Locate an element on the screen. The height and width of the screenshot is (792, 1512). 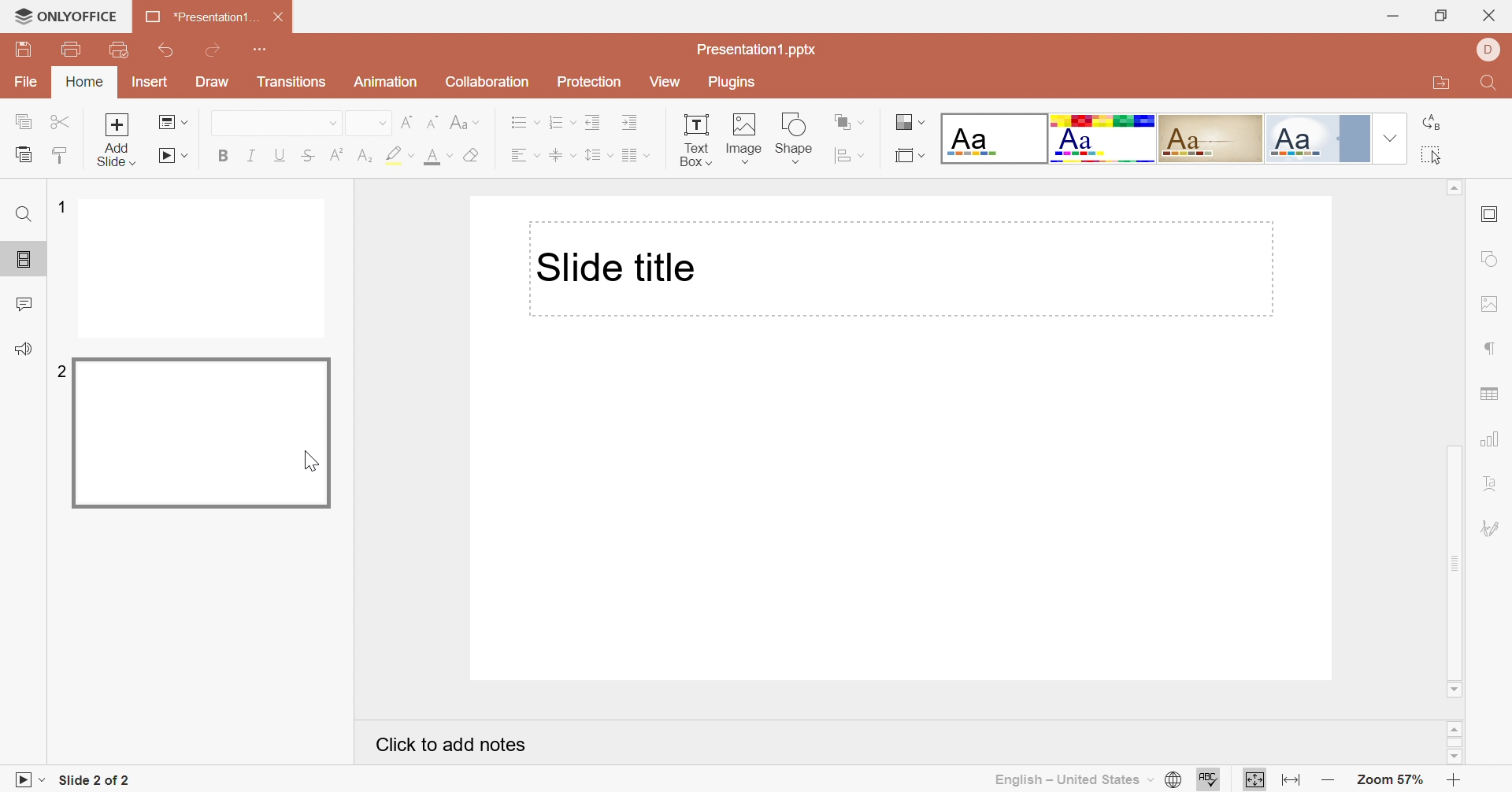
Image settings is located at coordinates (1487, 303).